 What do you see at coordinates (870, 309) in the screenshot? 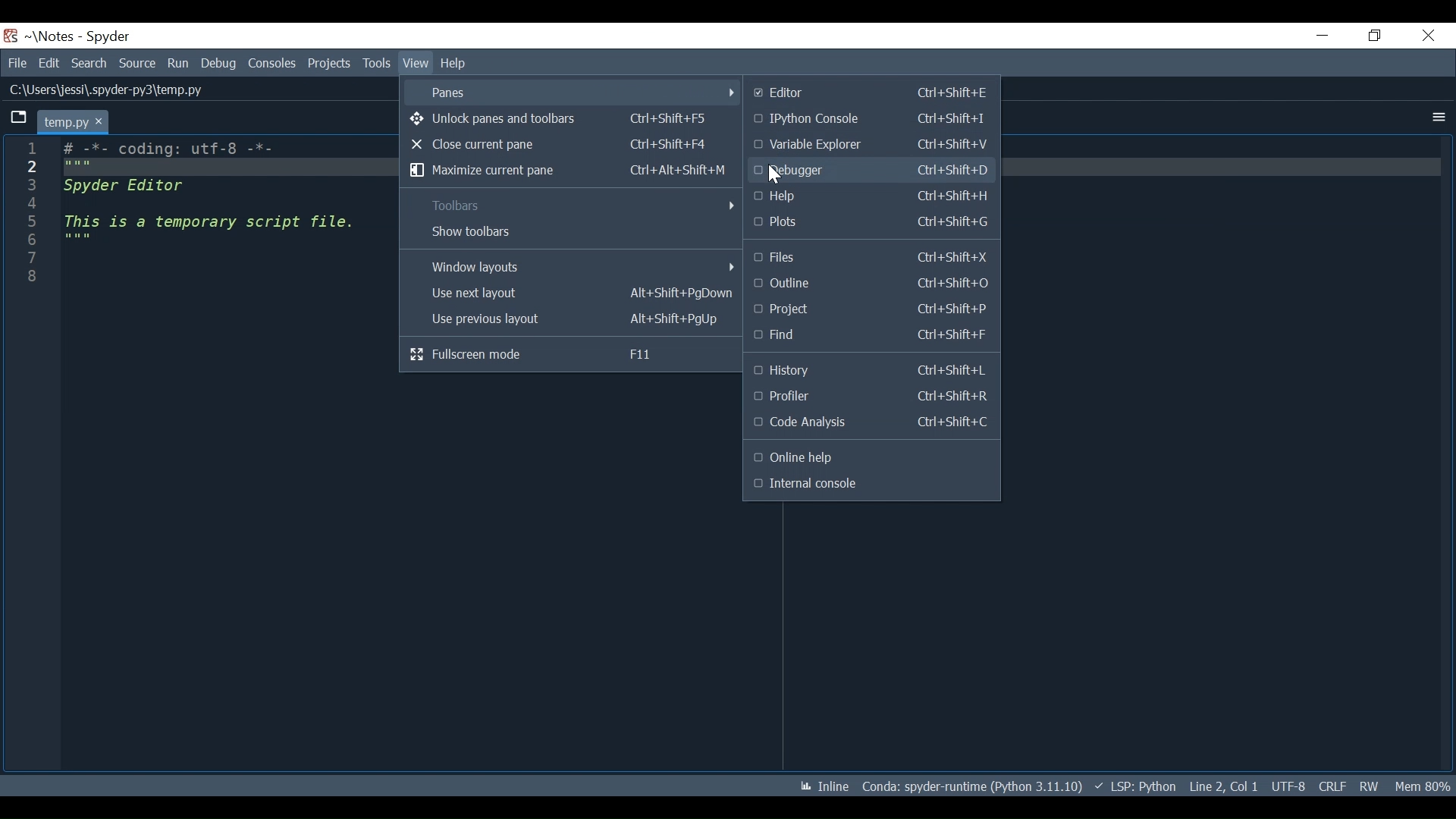
I see `Projects` at bounding box center [870, 309].